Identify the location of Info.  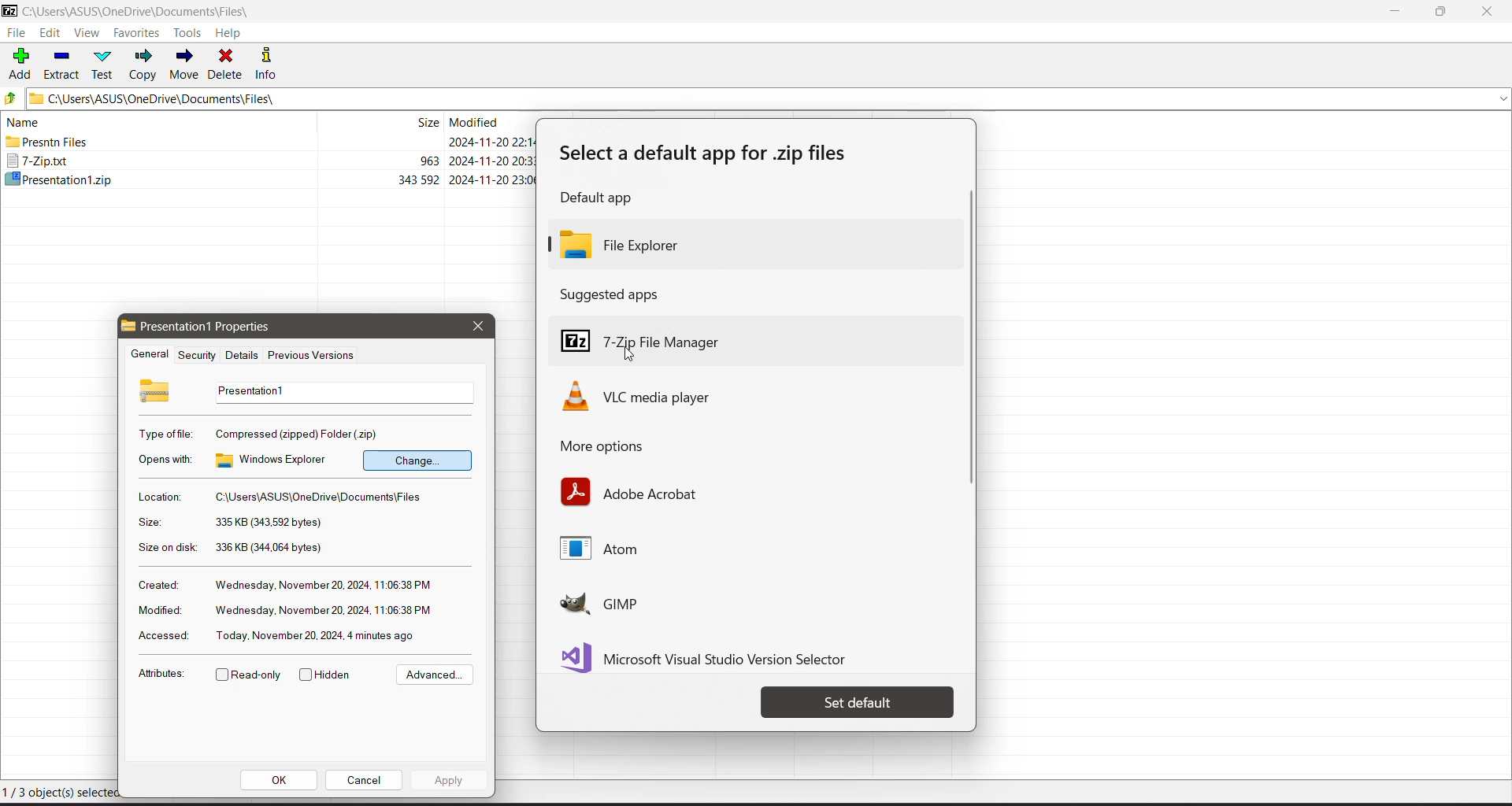
(272, 63).